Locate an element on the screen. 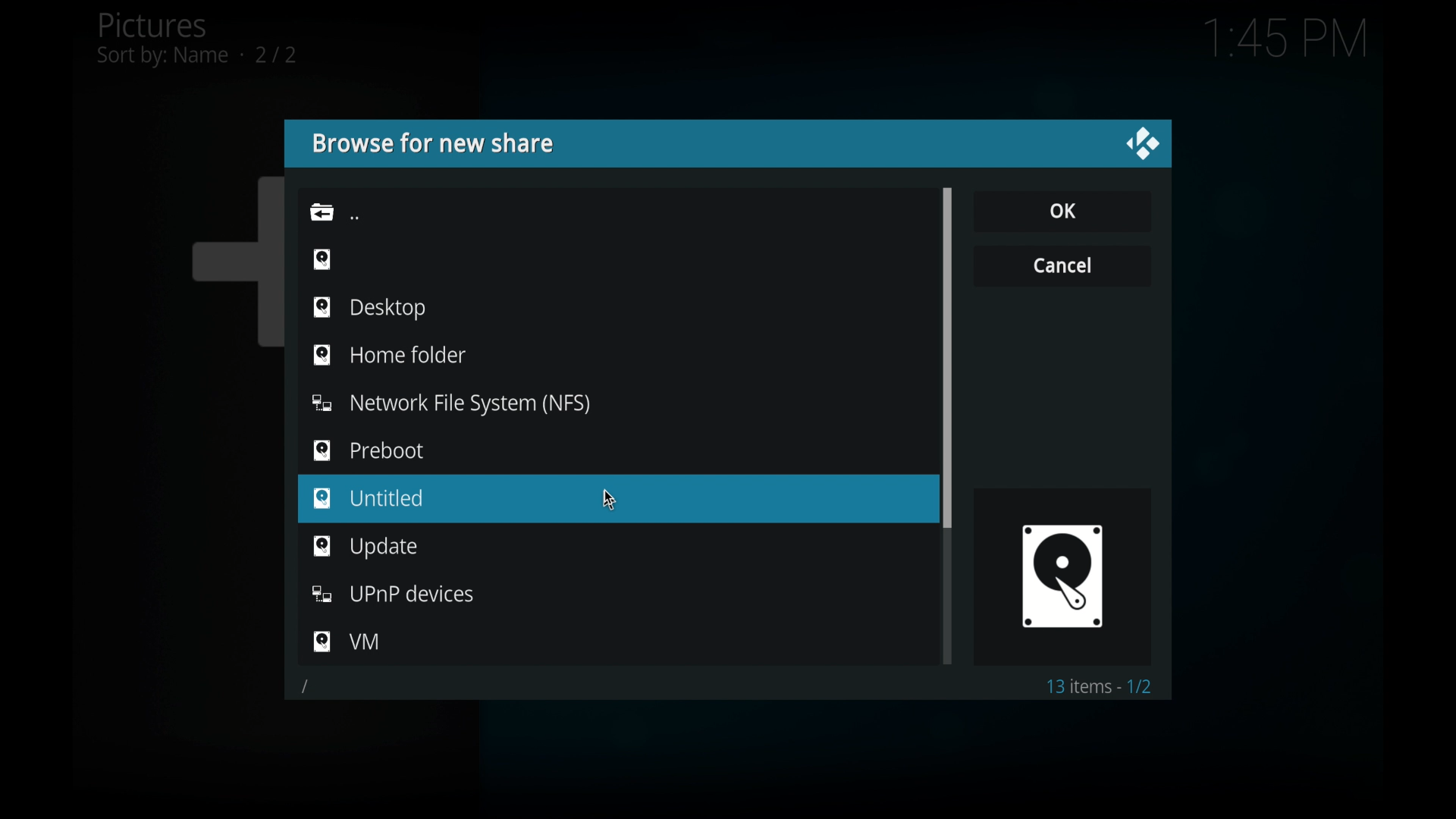 This screenshot has width=1456, height=819. folder is located at coordinates (365, 547).